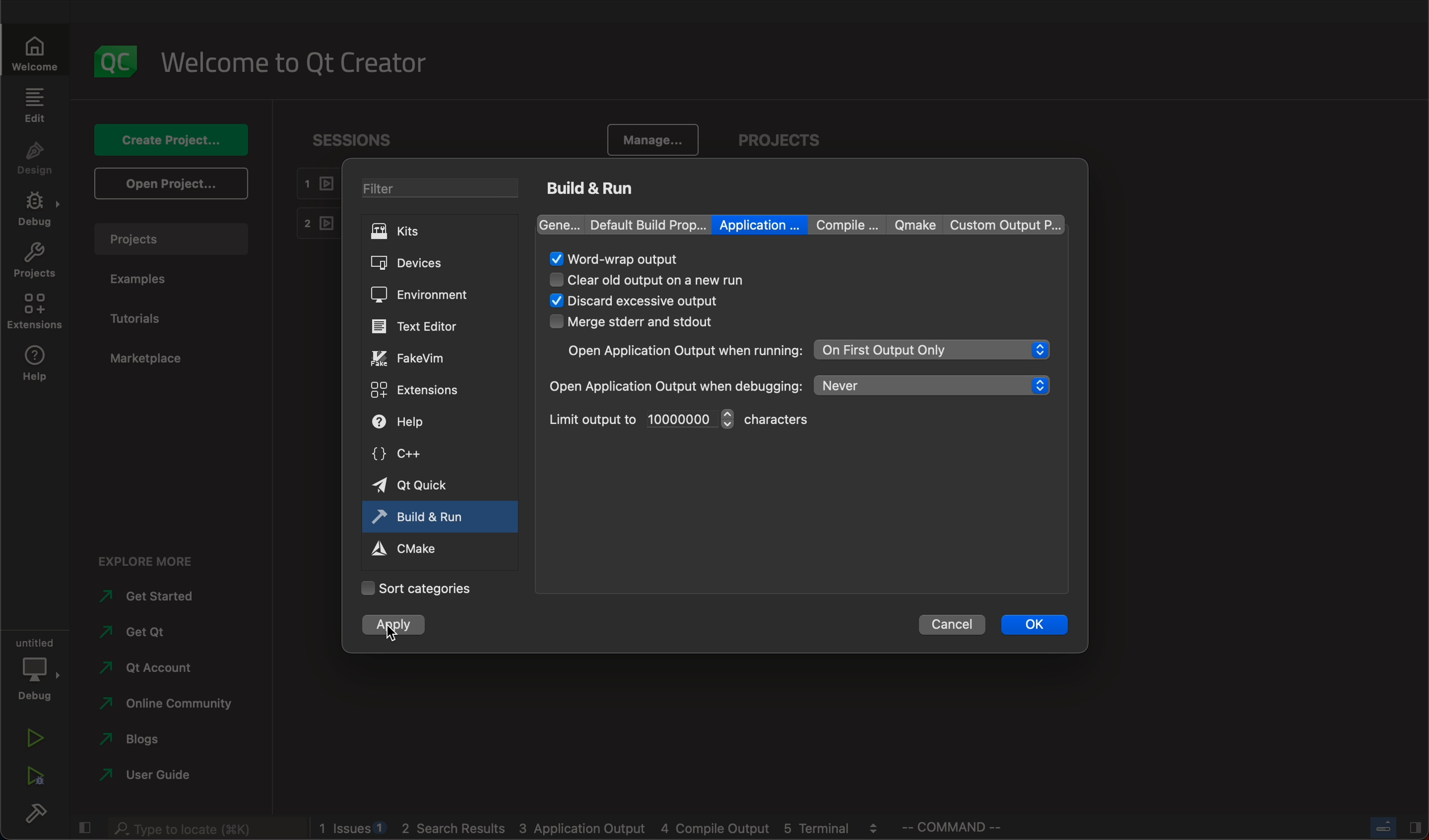 The width and height of the screenshot is (1429, 840). What do you see at coordinates (114, 59) in the screenshot?
I see `logo` at bounding box center [114, 59].